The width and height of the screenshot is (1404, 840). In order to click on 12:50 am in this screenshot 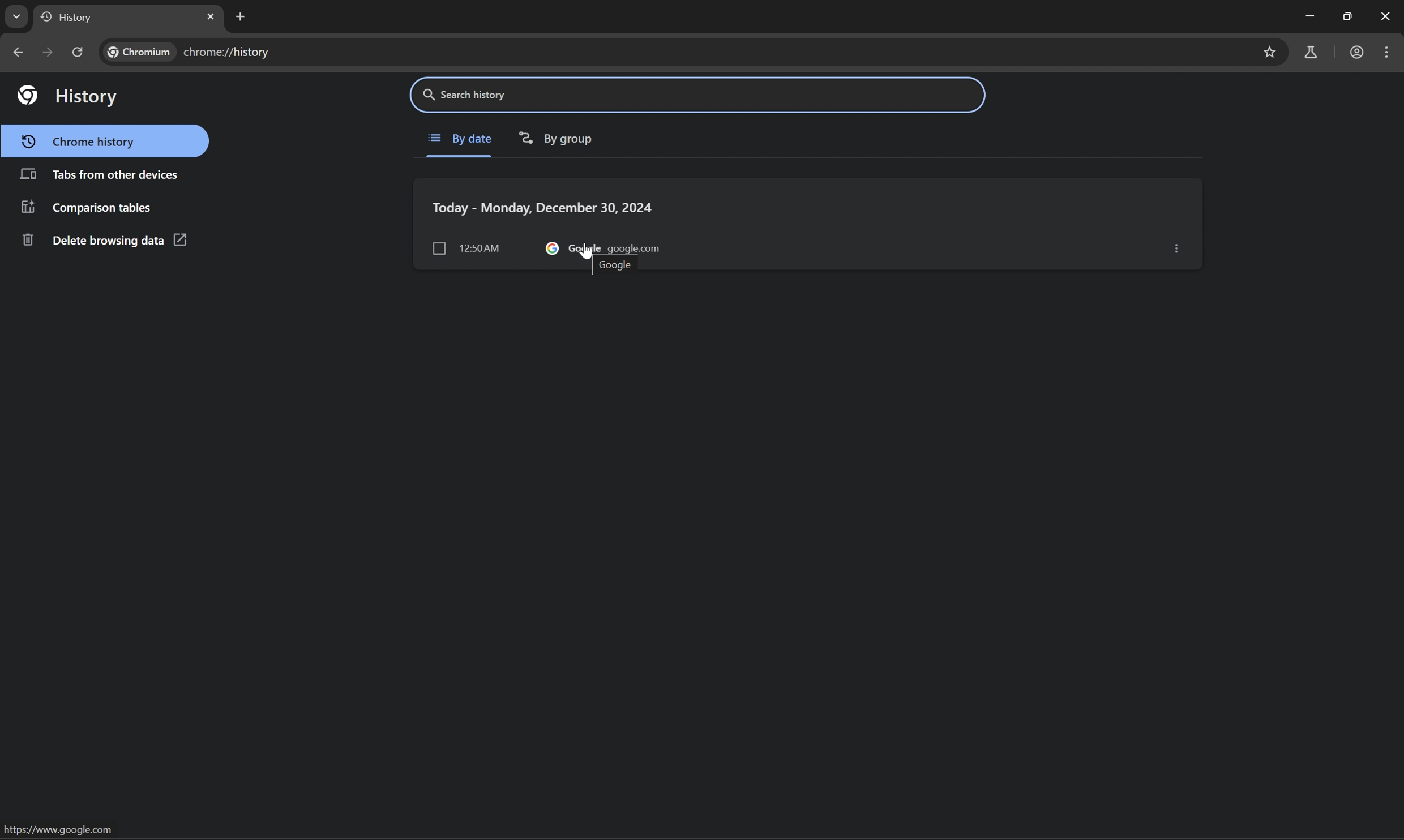, I will do `click(465, 249)`.